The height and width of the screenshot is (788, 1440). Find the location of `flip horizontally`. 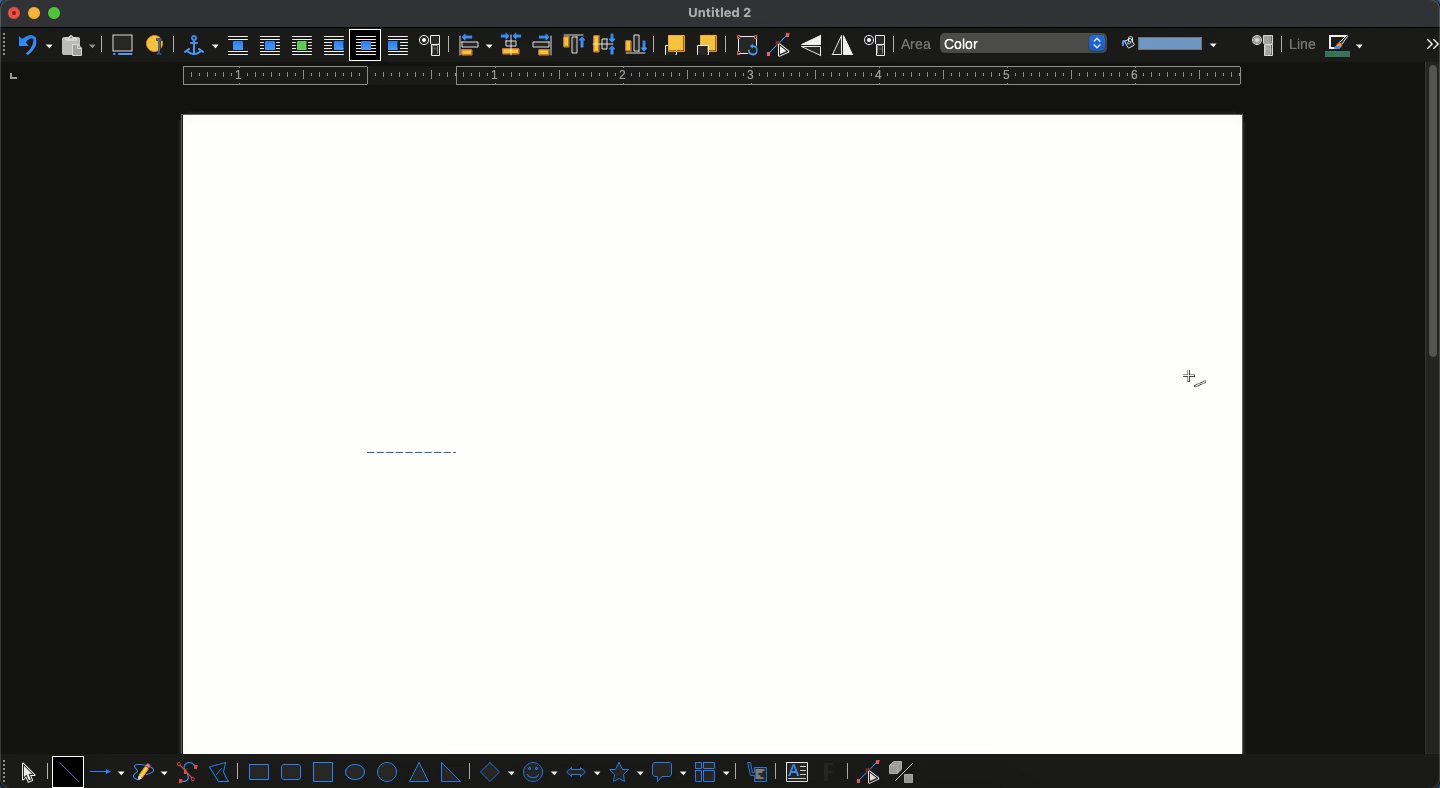

flip horizontally is located at coordinates (843, 45).